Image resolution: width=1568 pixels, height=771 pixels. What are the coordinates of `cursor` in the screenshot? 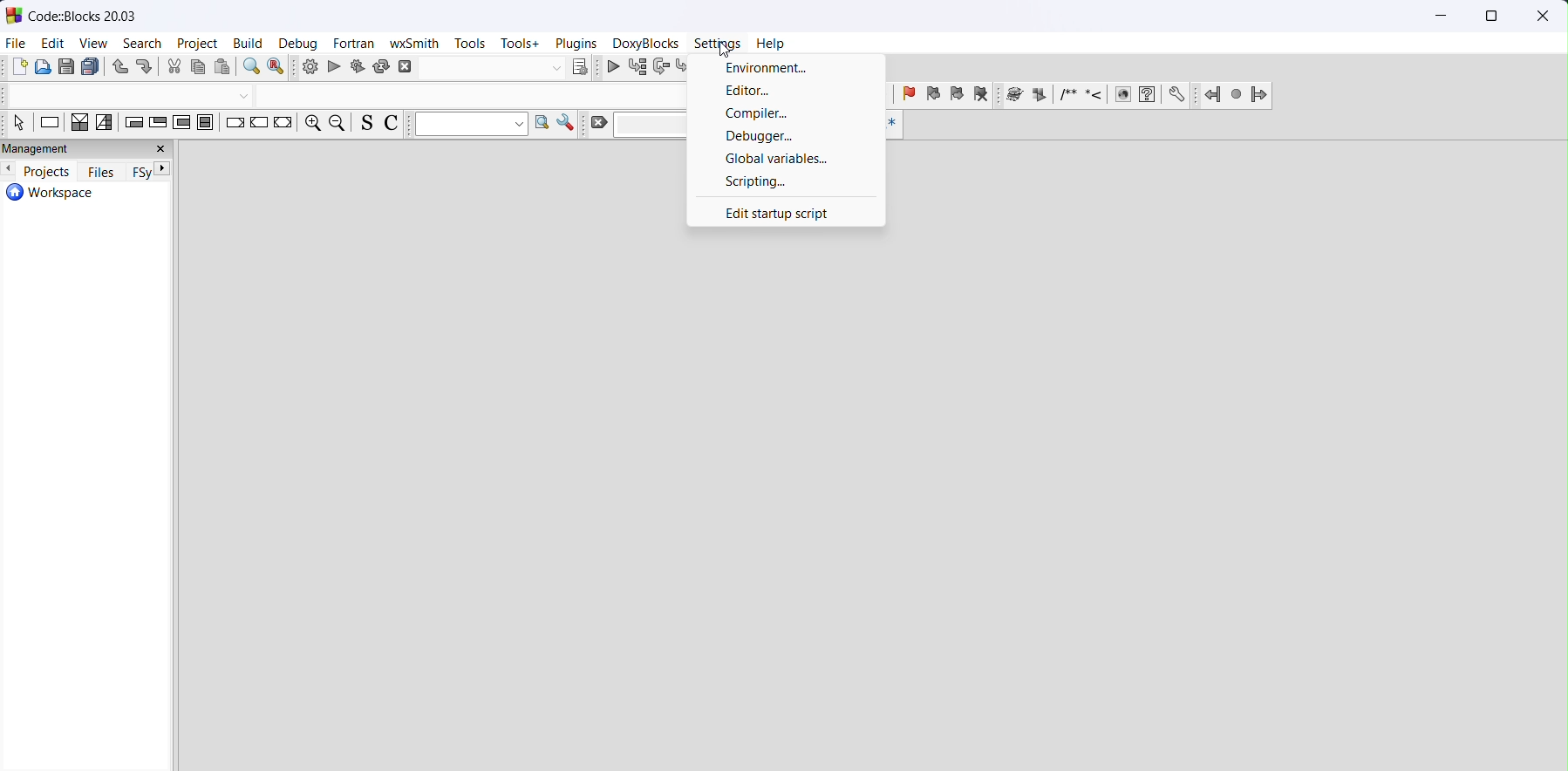 It's located at (729, 53).